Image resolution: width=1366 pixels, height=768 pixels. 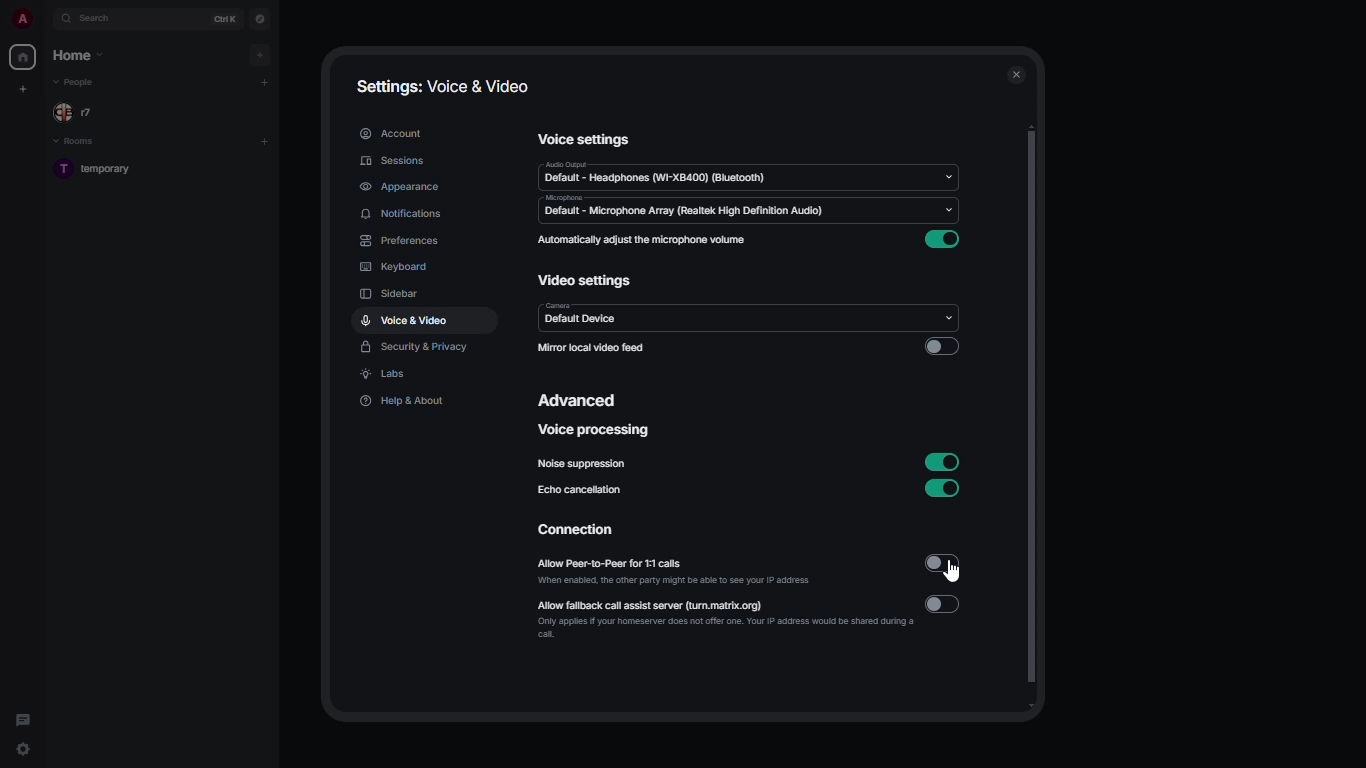 What do you see at coordinates (584, 283) in the screenshot?
I see `video settings` at bounding box center [584, 283].